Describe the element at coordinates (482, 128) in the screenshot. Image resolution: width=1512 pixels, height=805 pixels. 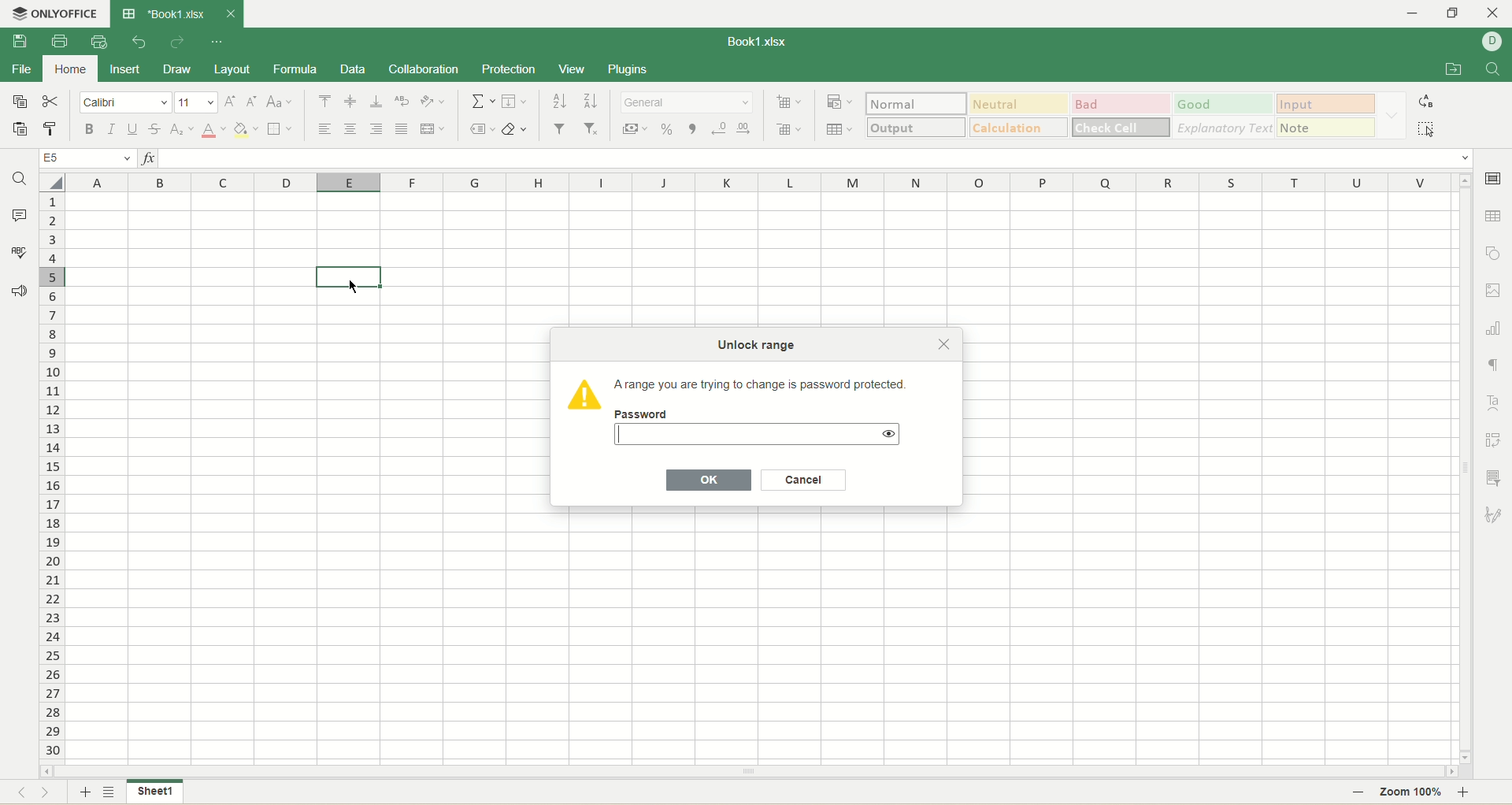
I see `named ranges` at that location.